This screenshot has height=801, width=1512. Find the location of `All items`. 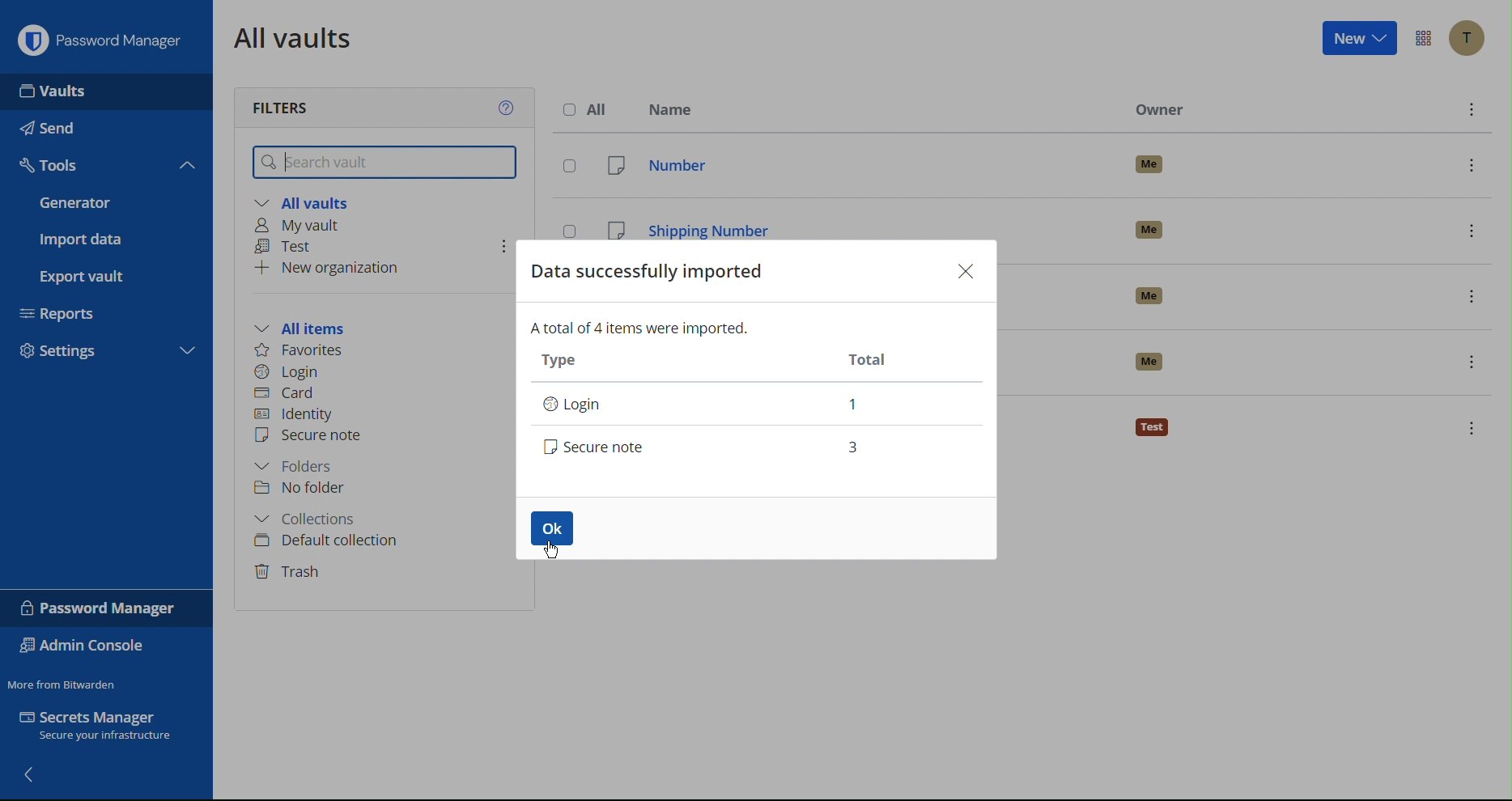

All items is located at coordinates (307, 329).